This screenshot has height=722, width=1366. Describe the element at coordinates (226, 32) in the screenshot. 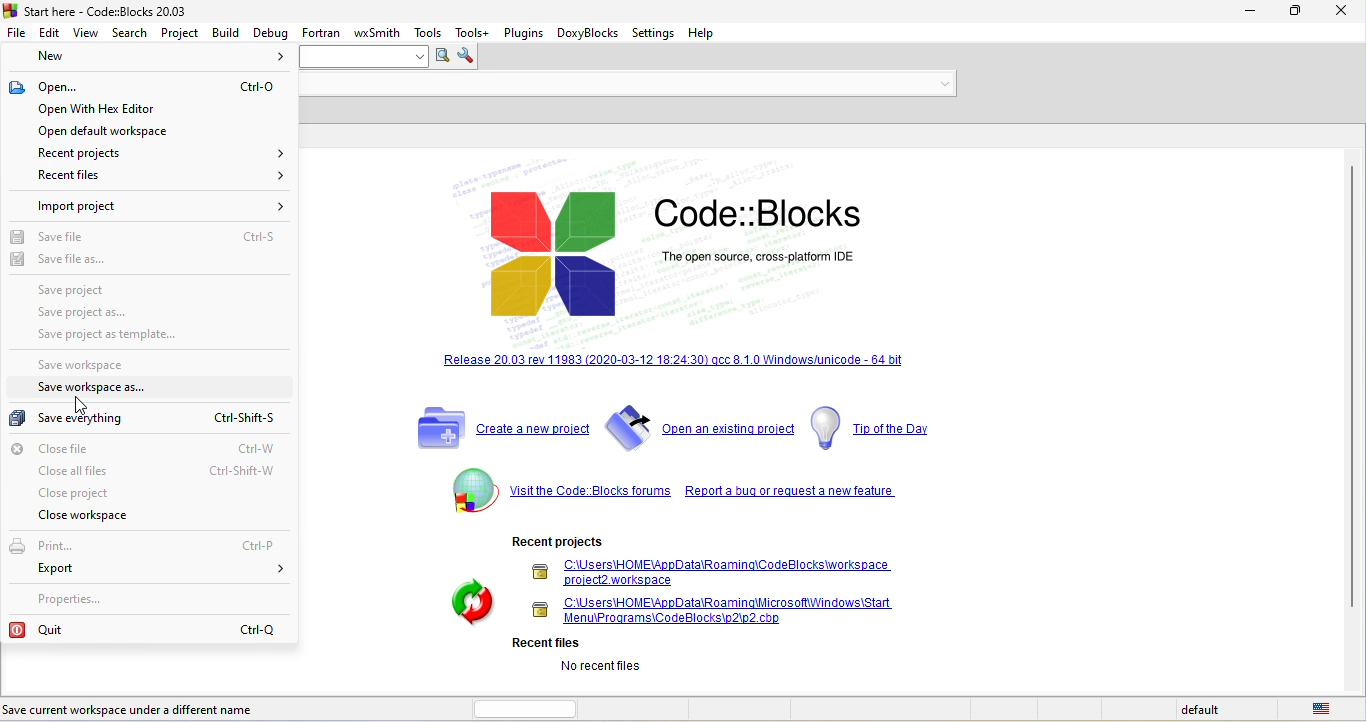

I see `build` at that location.